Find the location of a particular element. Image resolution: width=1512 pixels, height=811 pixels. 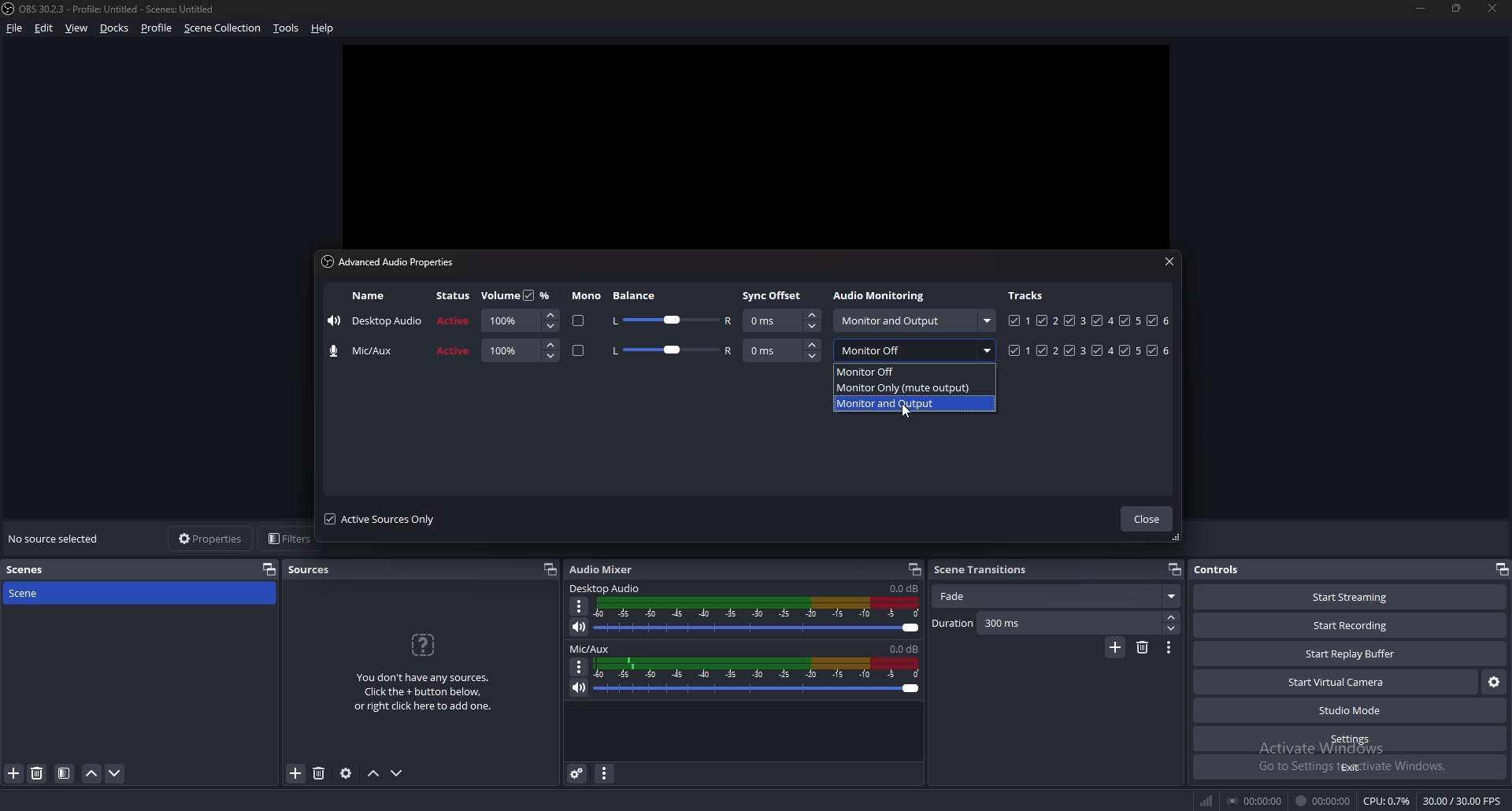

You don't have any sources.Click the + button below,or right click here to add one. is located at coordinates (423, 694).